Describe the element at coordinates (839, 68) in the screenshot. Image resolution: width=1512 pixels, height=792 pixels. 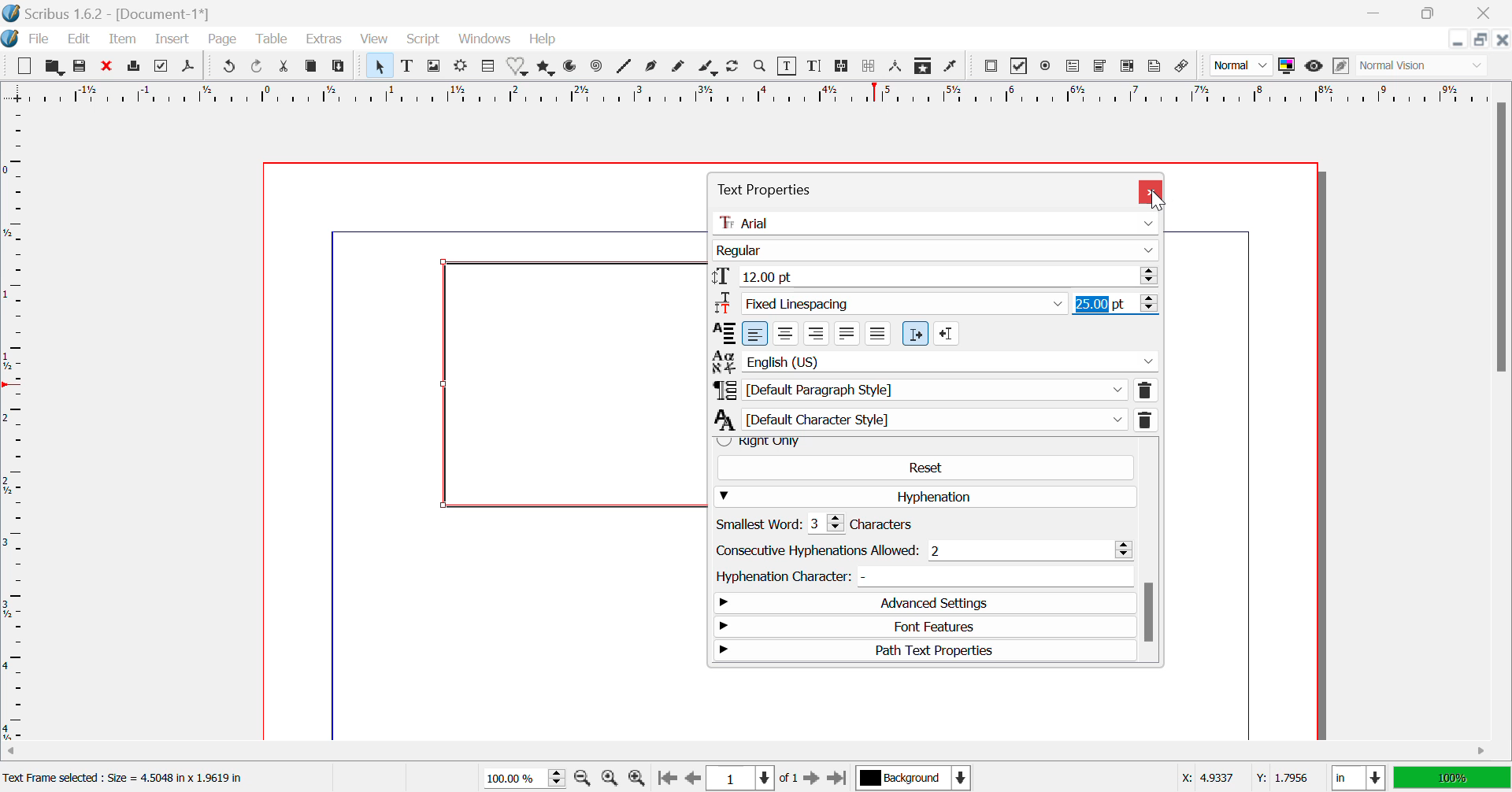
I see `Link Text Frames` at that location.